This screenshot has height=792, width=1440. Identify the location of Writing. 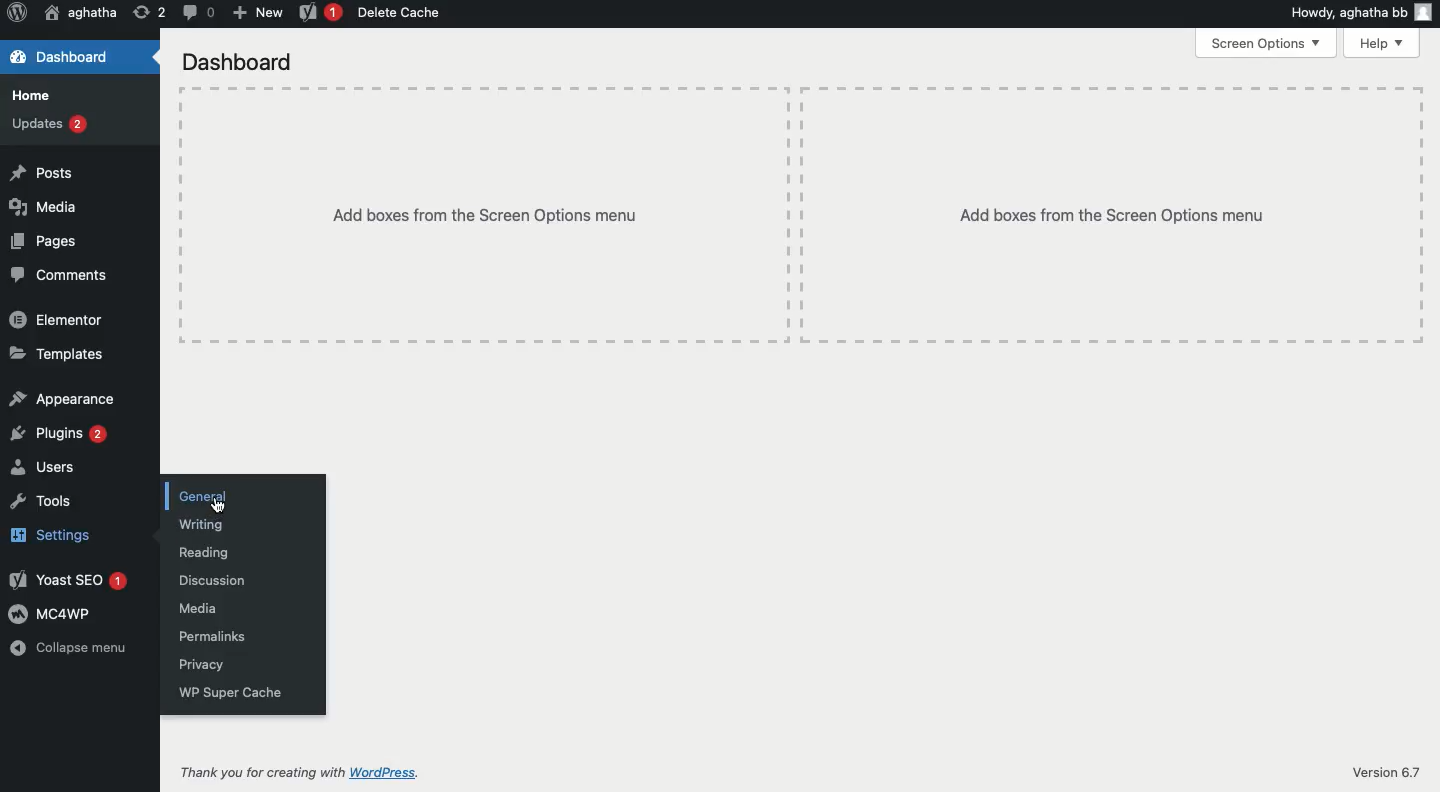
(200, 525).